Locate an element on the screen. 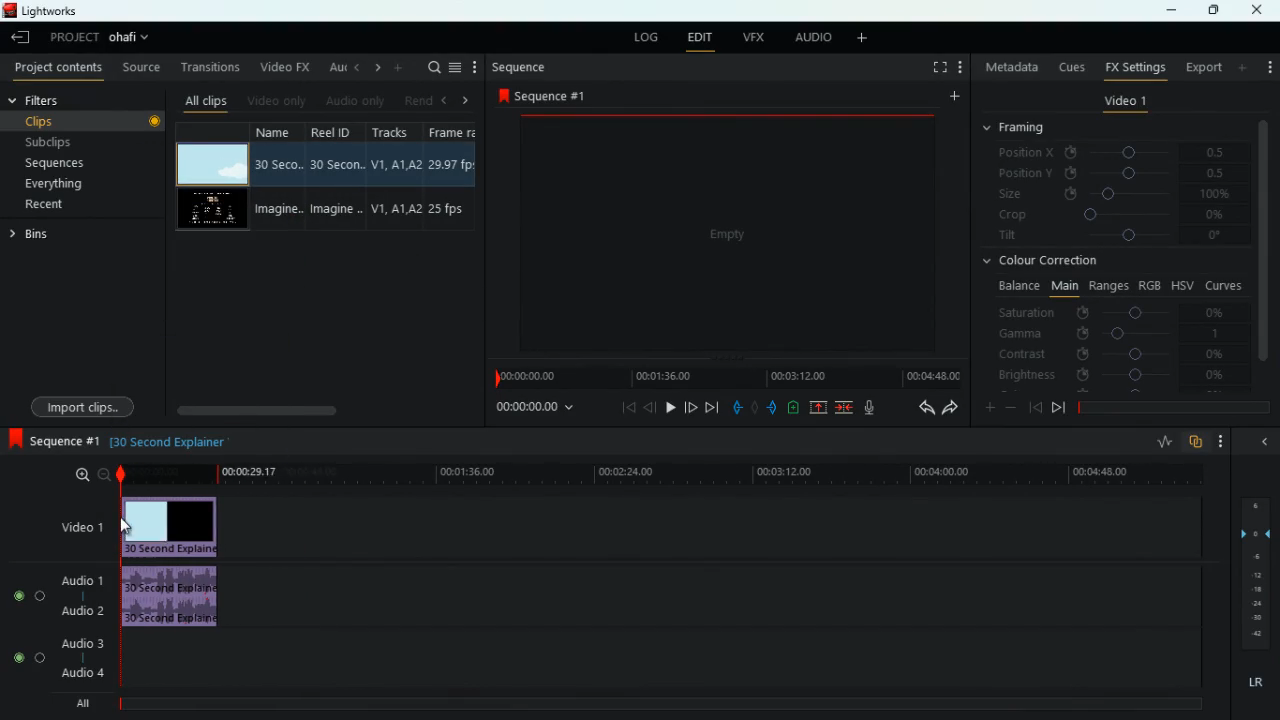 This screenshot has width=1280, height=720. sequences is located at coordinates (58, 165).